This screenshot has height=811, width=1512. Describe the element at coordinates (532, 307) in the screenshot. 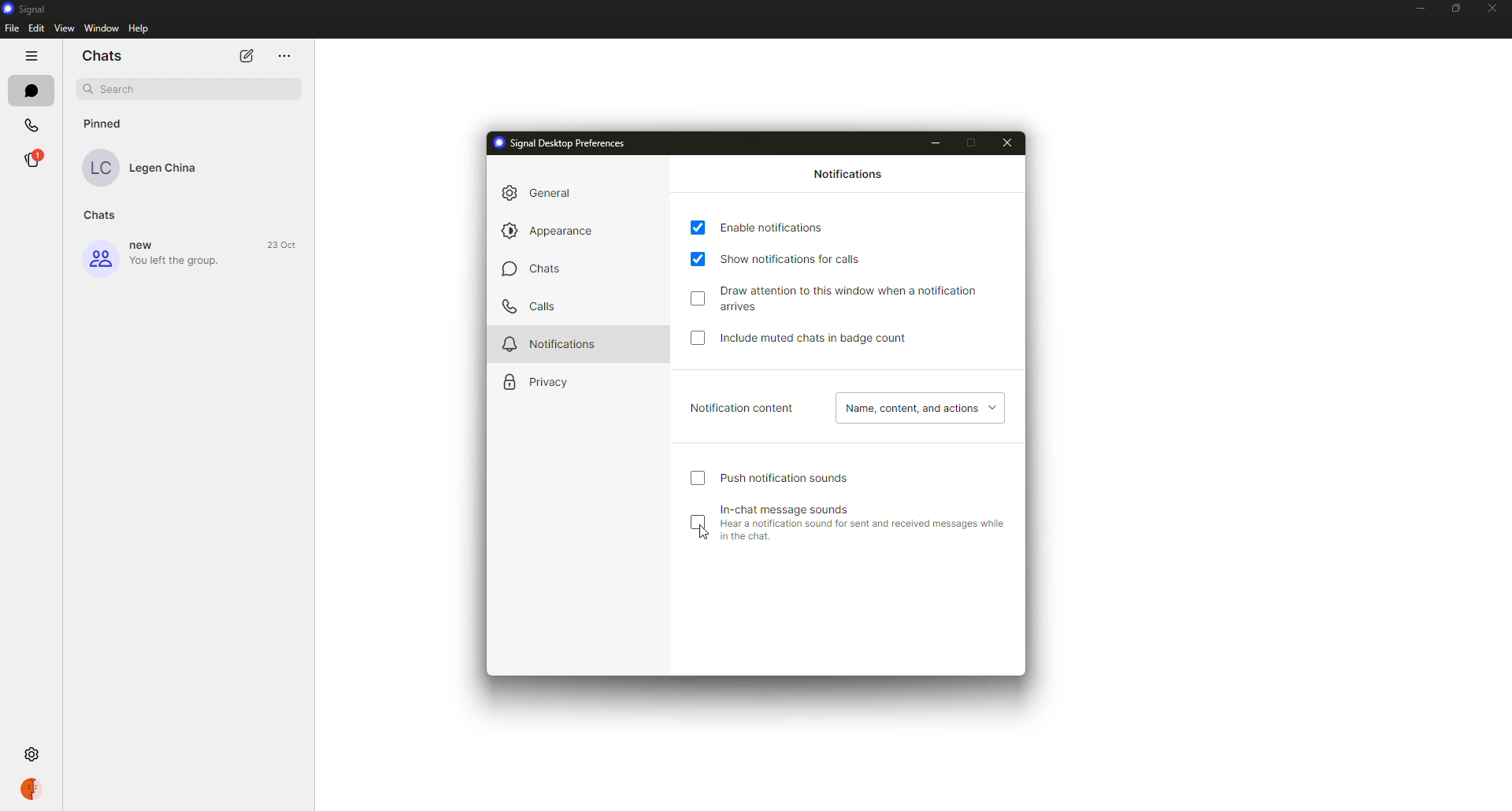

I see `calls` at that location.